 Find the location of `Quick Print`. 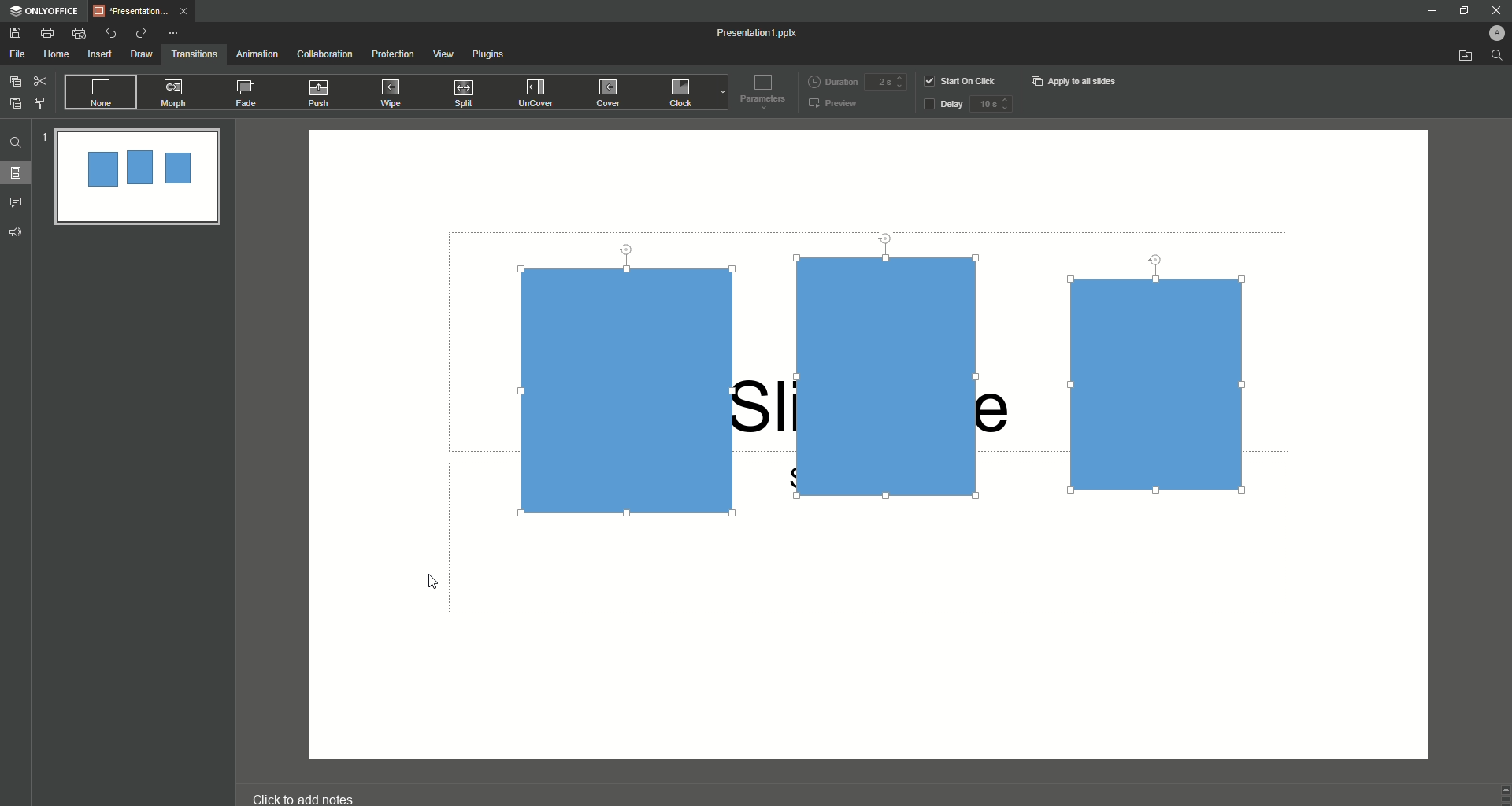

Quick Print is located at coordinates (80, 34).